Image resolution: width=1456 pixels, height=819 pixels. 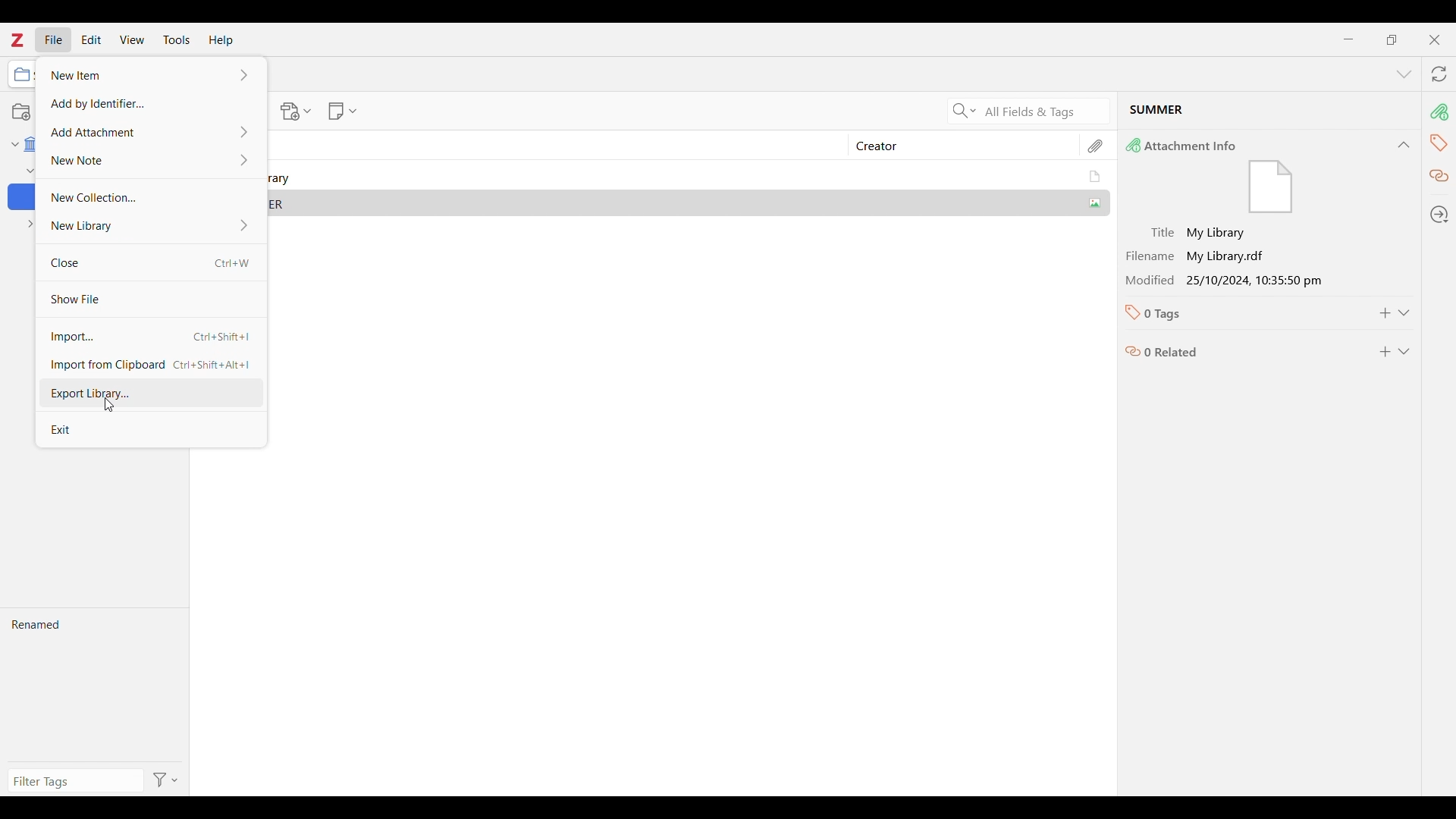 What do you see at coordinates (551, 145) in the screenshot?
I see `Title ` at bounding box center [551, 145].